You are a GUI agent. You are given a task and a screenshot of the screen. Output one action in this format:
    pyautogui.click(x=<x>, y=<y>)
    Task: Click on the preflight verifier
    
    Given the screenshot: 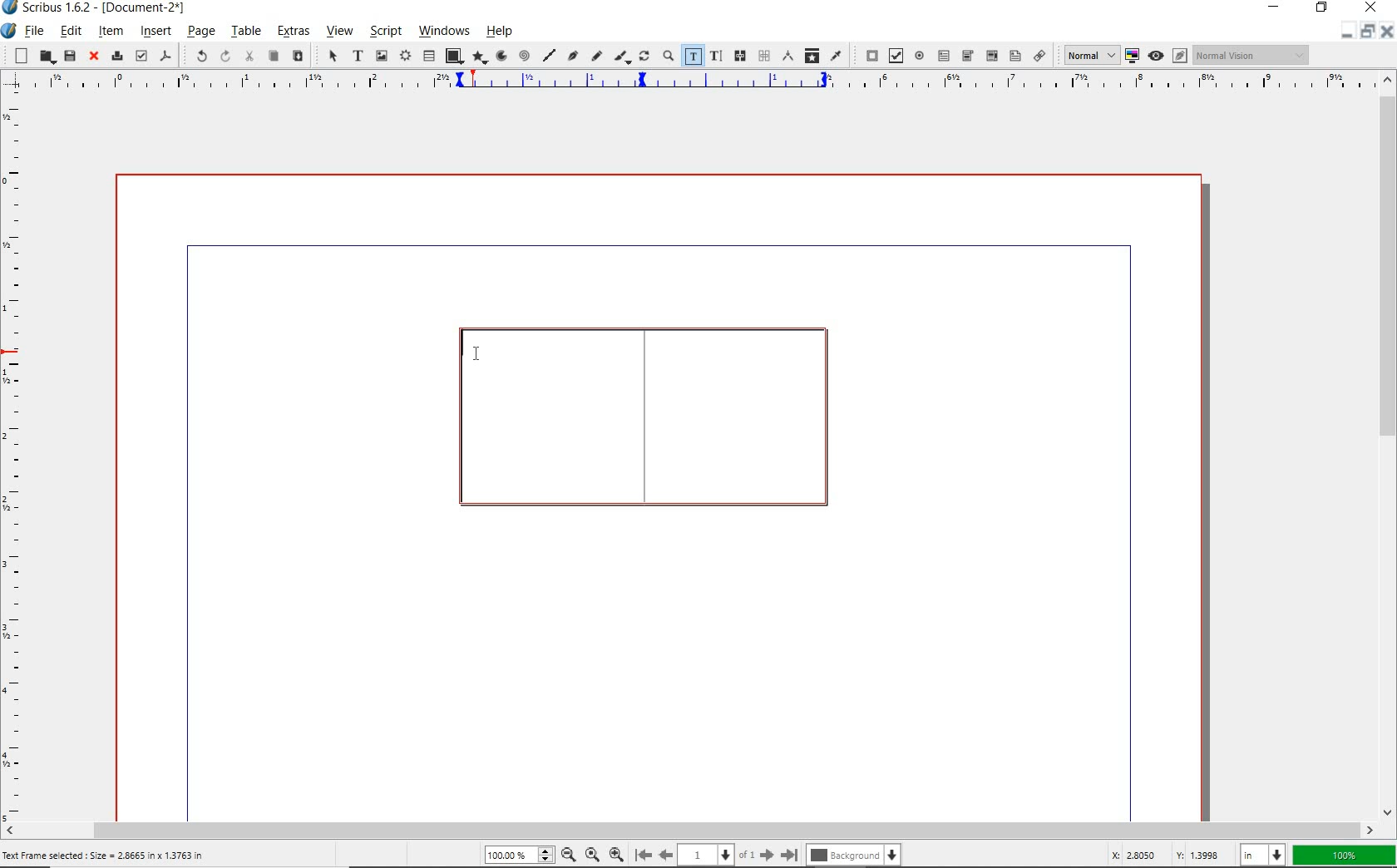 What is the action you would take?
    pyautogui.click(x=141, y=55)
    